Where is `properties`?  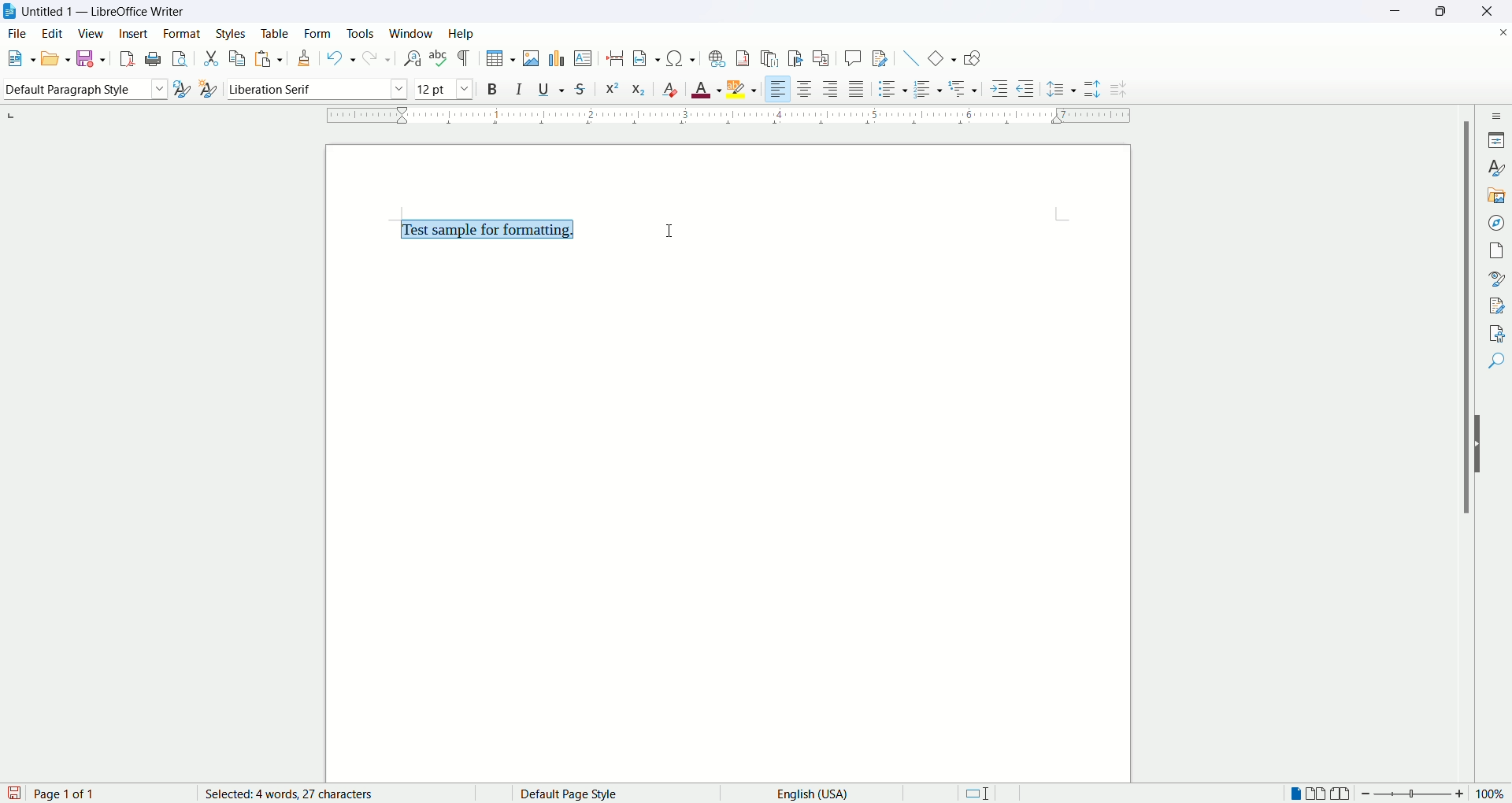
properties is located at coordinates (1495, 140).